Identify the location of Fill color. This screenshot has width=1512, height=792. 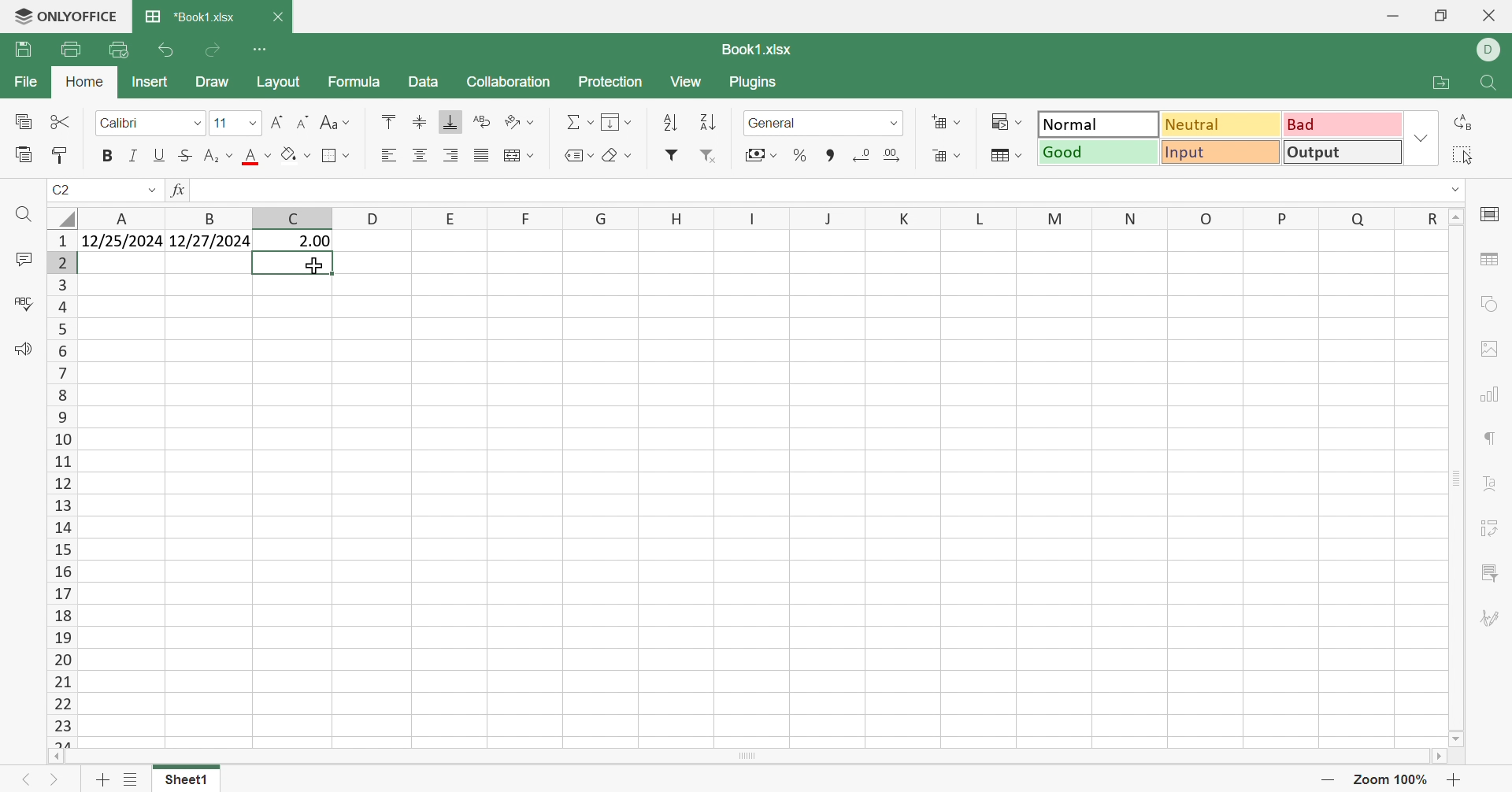
(299, 154).